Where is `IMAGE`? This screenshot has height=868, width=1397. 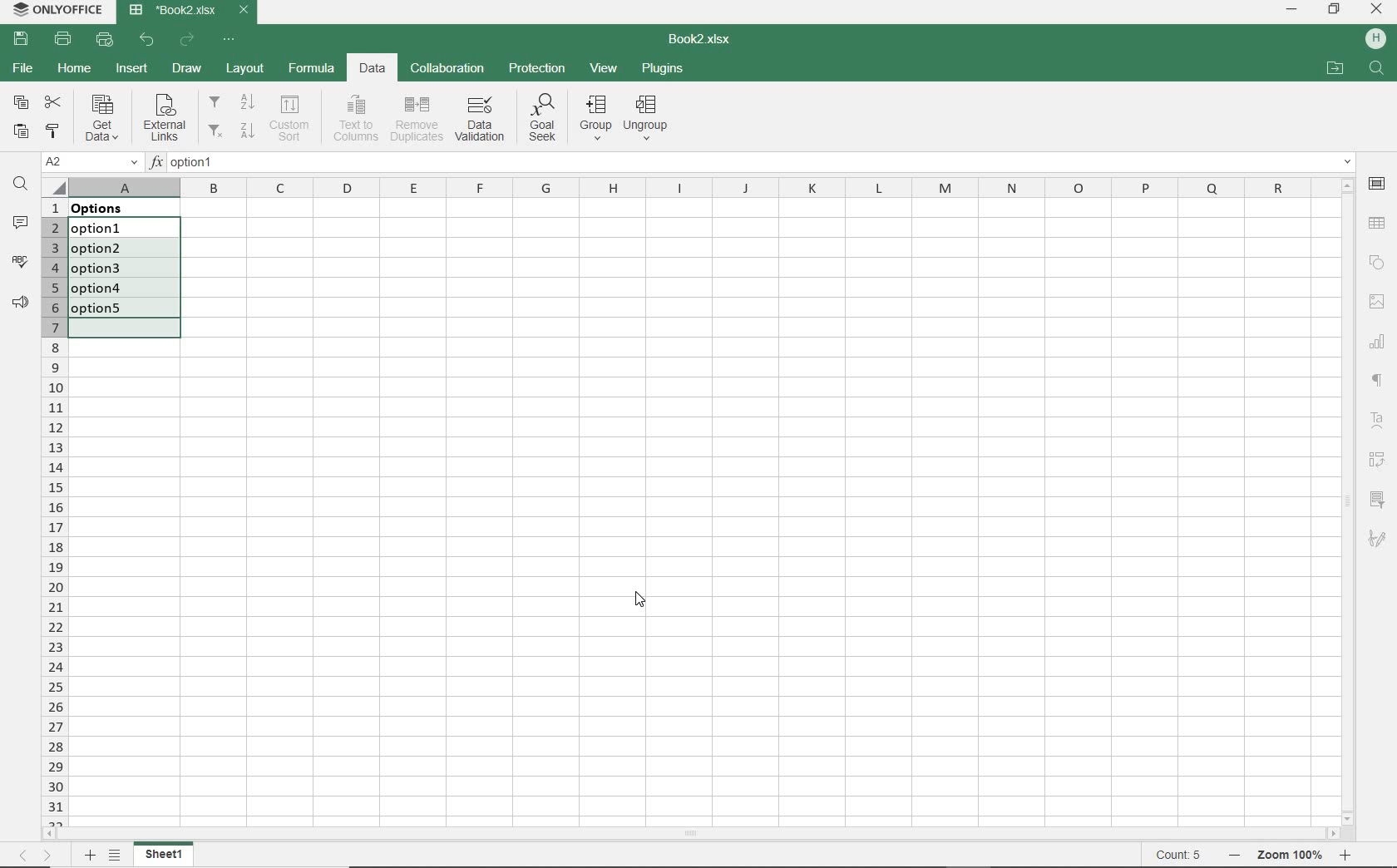 IMAGE is located at coordinates (1379, 302).